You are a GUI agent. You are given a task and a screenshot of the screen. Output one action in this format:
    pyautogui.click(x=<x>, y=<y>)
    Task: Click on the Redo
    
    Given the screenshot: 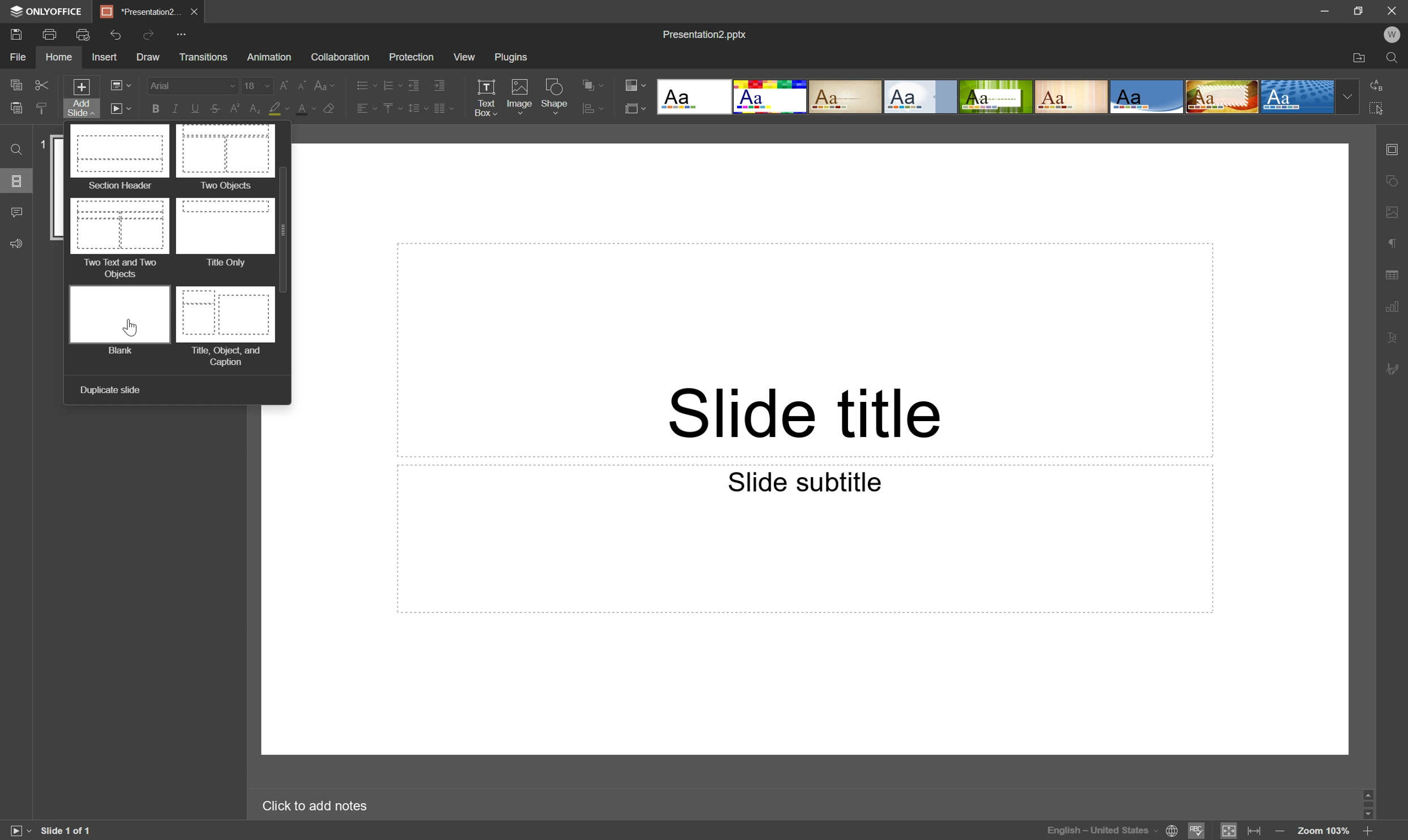 What is the action you would take?
    pyautogui.click(x=151, y=35)
    